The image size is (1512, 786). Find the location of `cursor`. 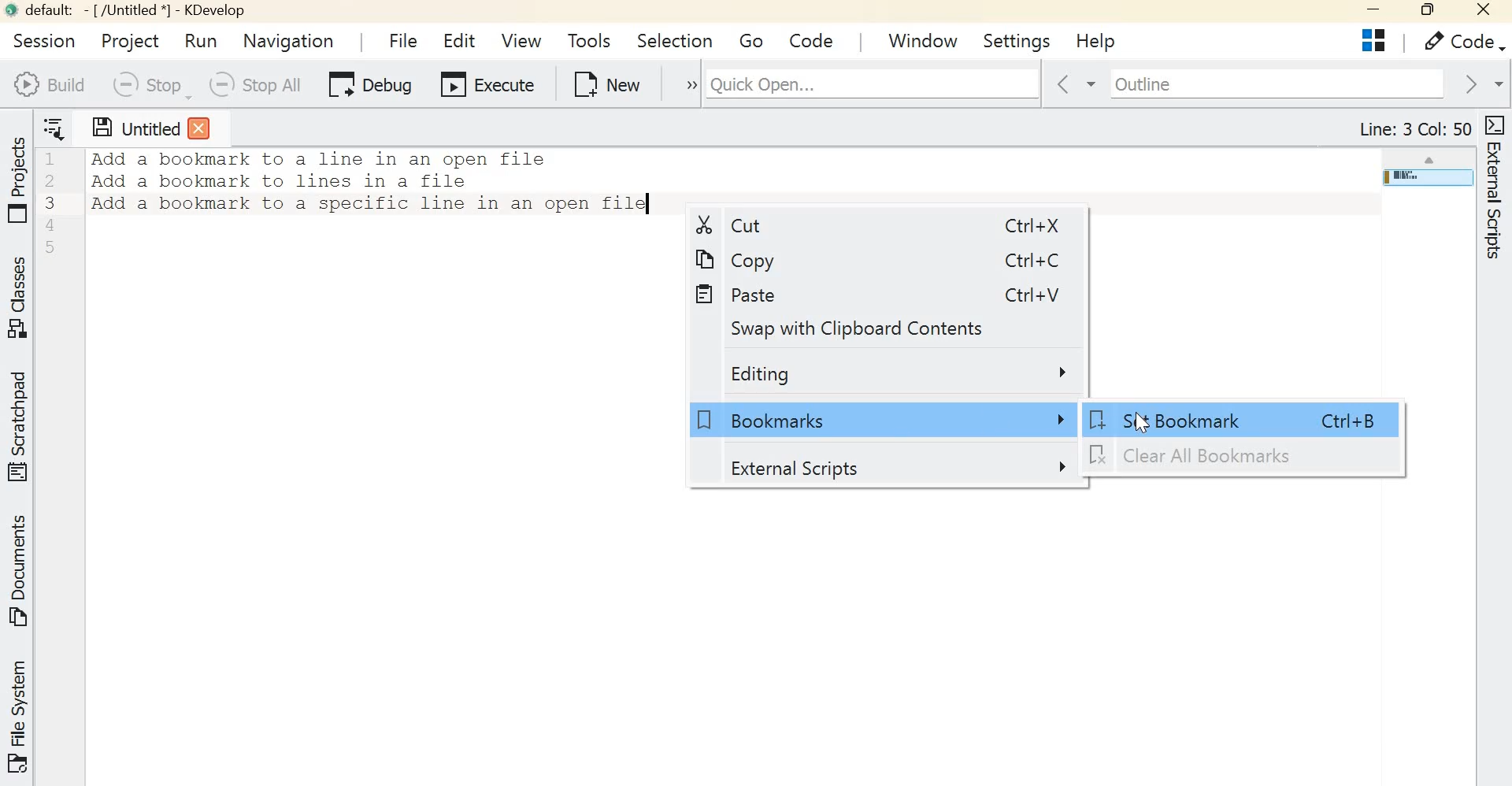

cursor is located at coordinates (1138, 424).